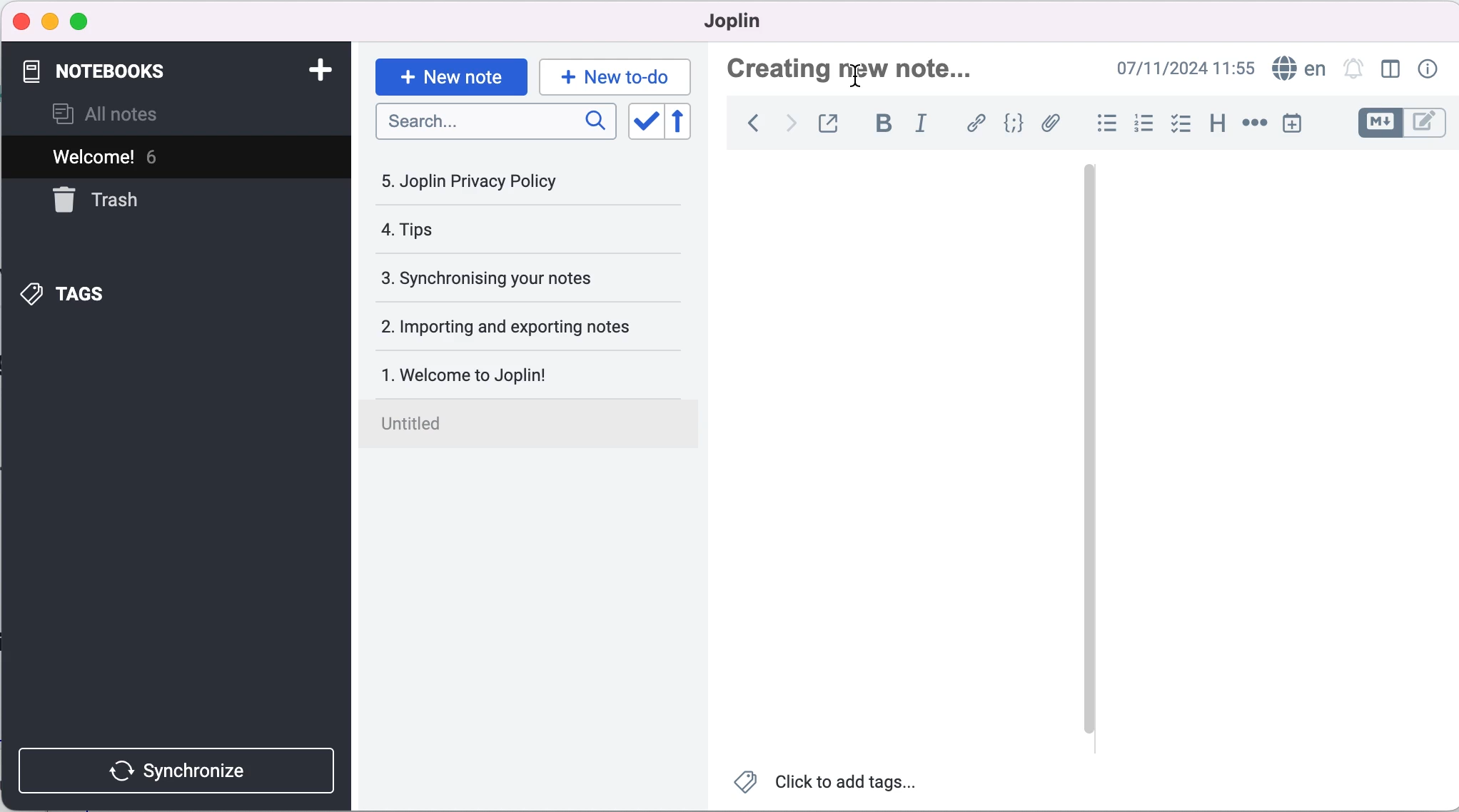 Image resolution: width=1459 pixels, height=812 pixels. What do you see at coordinates (138, 156) in the screenshot?
I see `welcome! 6` at bounding box center [138, 156].